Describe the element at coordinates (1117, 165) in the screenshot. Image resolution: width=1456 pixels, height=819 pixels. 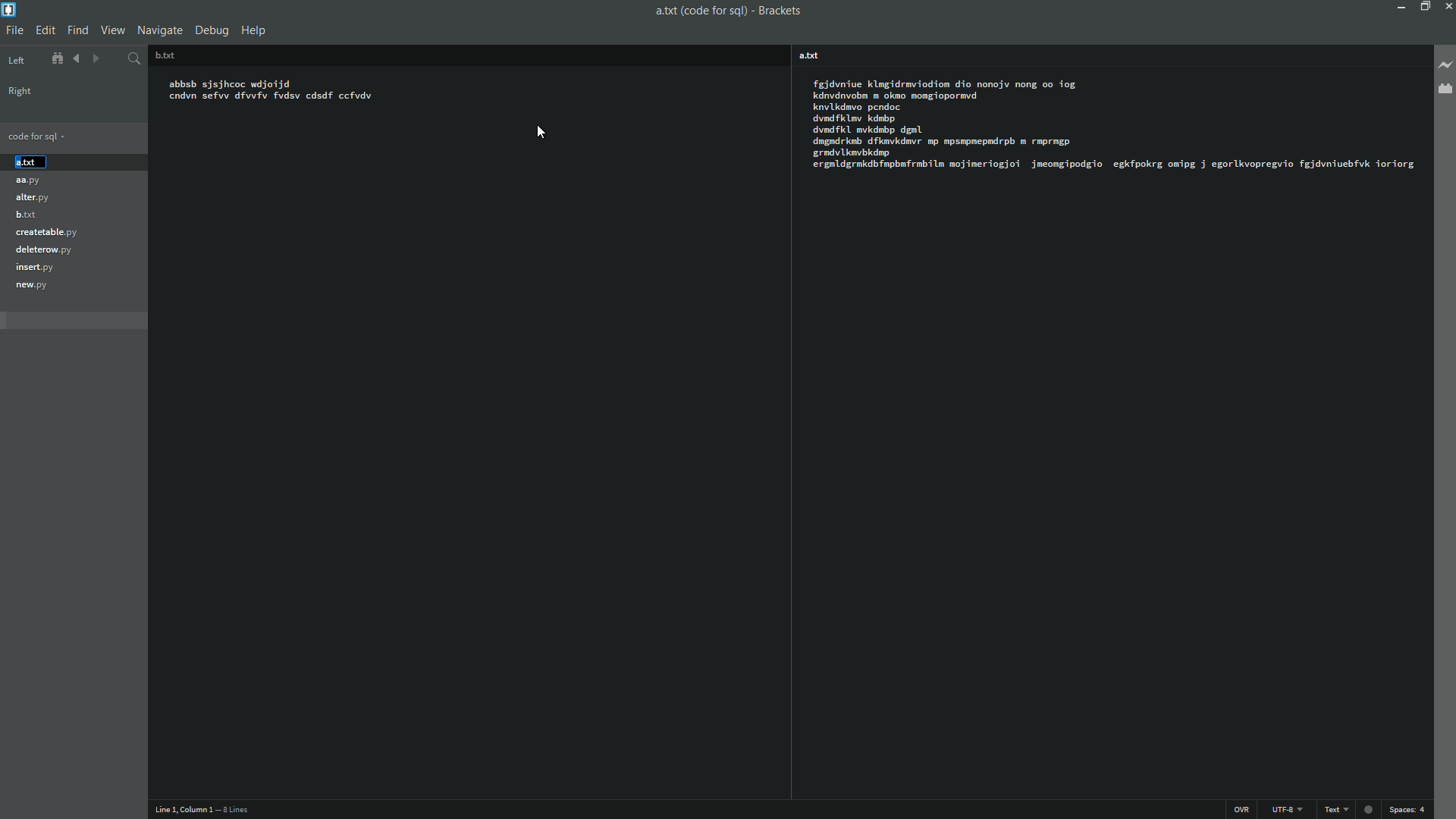
I see `ergmldgrmkdbfmpbafrmbilm nojimeriogjoi jmeomgipodgio egfpokrg omipg j egorlkvopregvio fgjdvniuebfvk ioriorg` at that location.